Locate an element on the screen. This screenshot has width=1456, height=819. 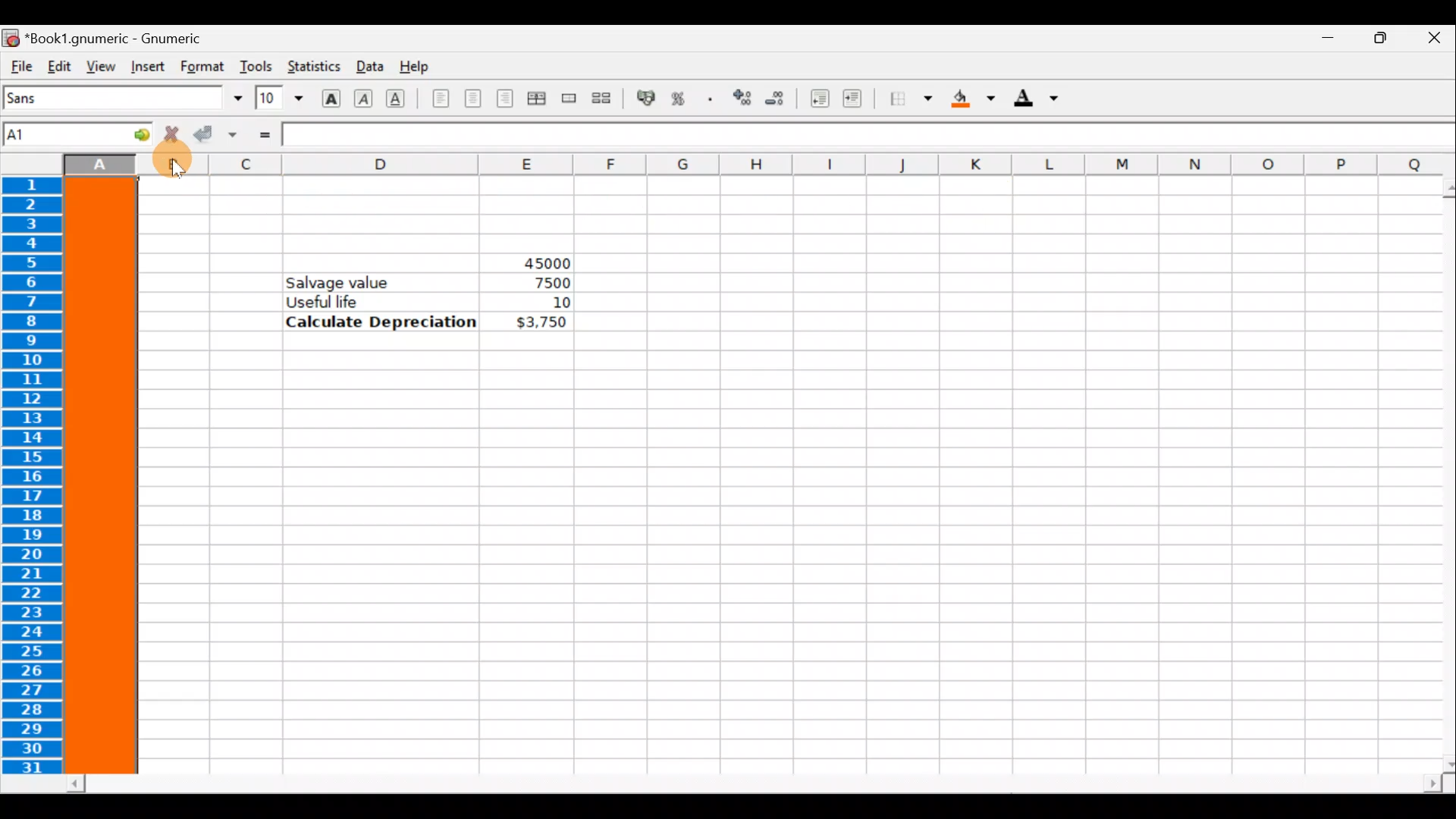
Cells is located at coordinates (758, 569).